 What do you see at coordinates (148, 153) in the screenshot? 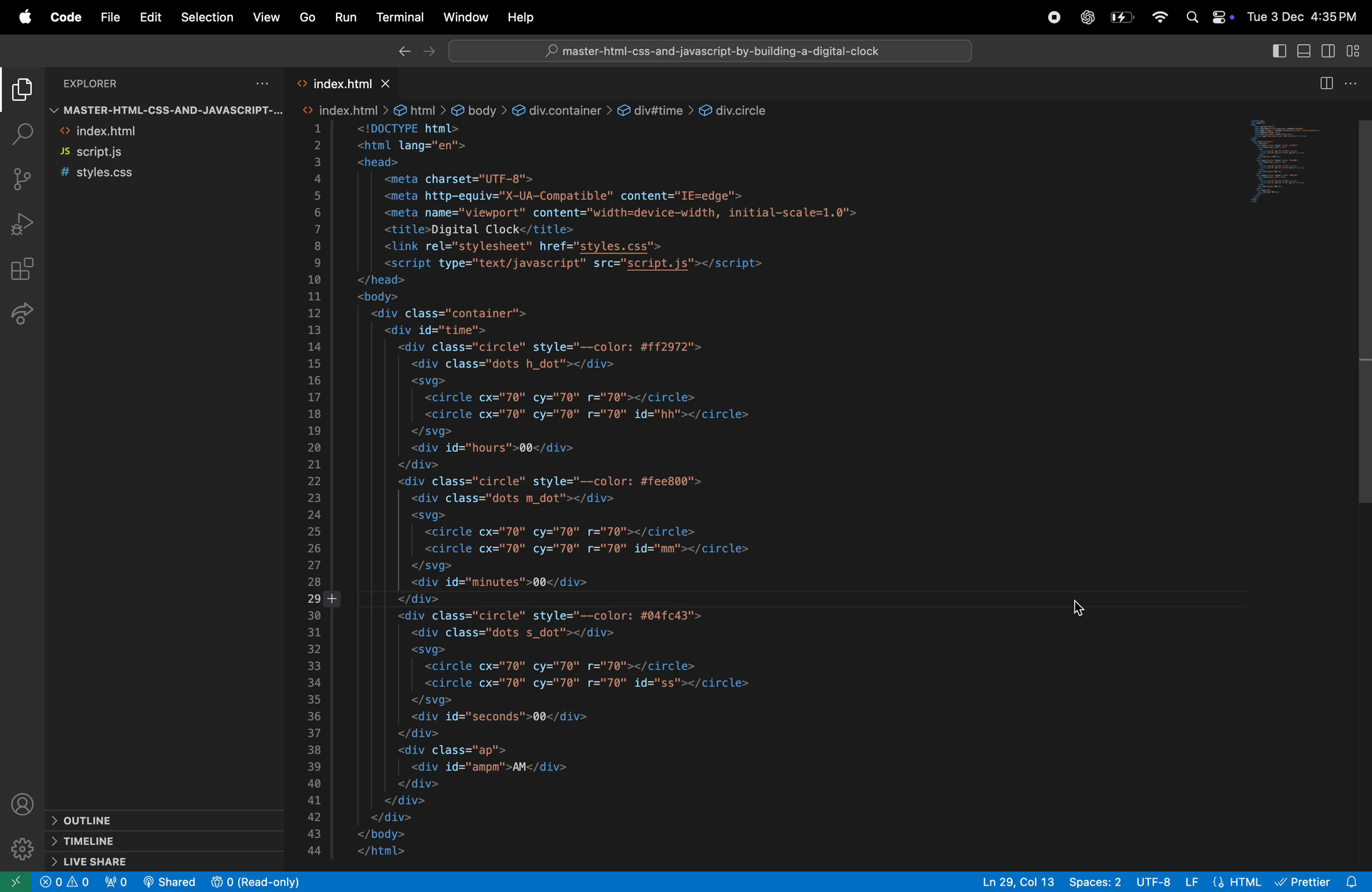
I see `script.js` at bounding box center [148, 153].